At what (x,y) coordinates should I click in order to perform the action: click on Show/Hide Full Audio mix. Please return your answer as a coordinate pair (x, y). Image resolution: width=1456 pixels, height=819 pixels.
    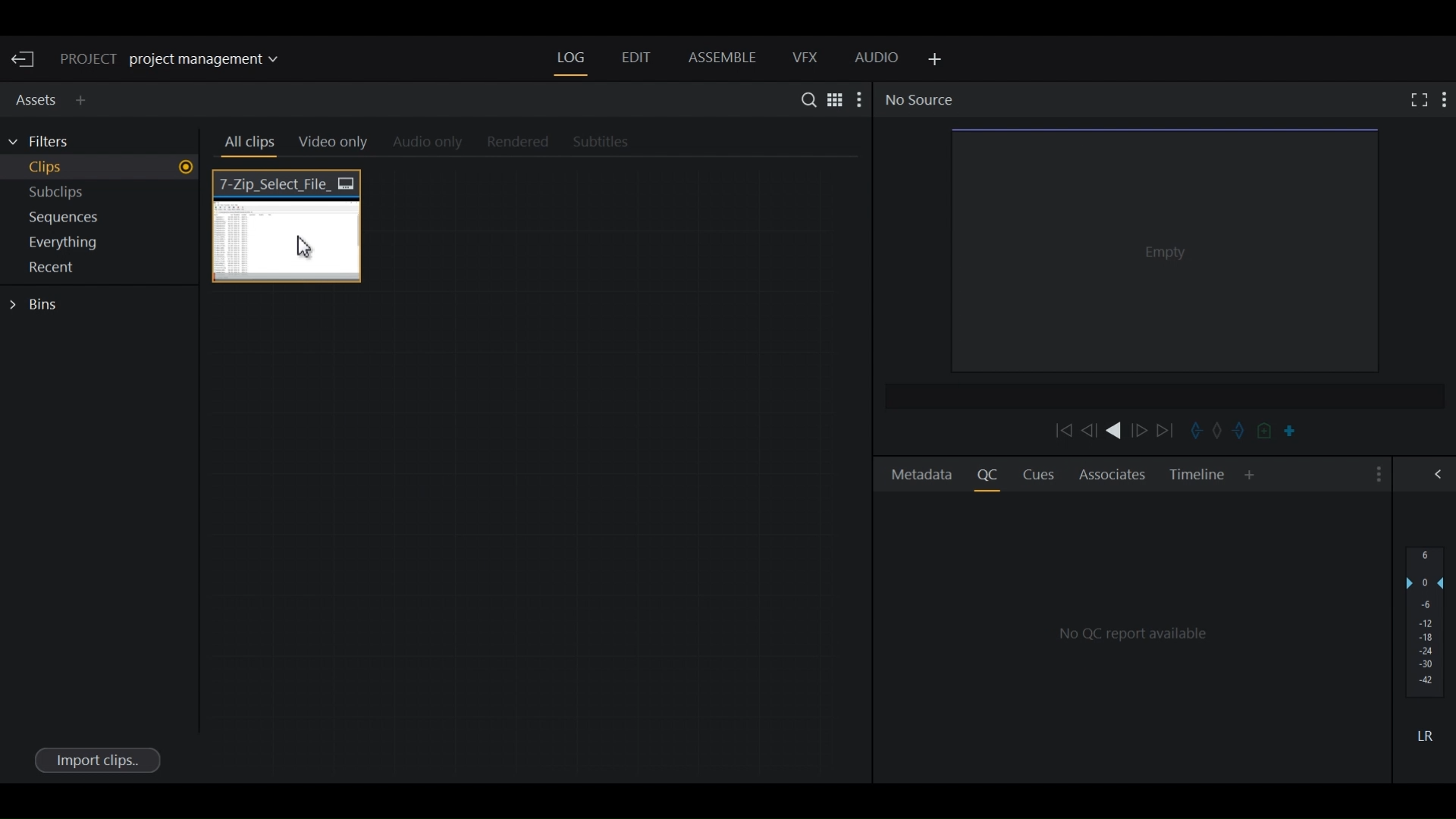
    Looking at the image, I should click on (1441, 473).